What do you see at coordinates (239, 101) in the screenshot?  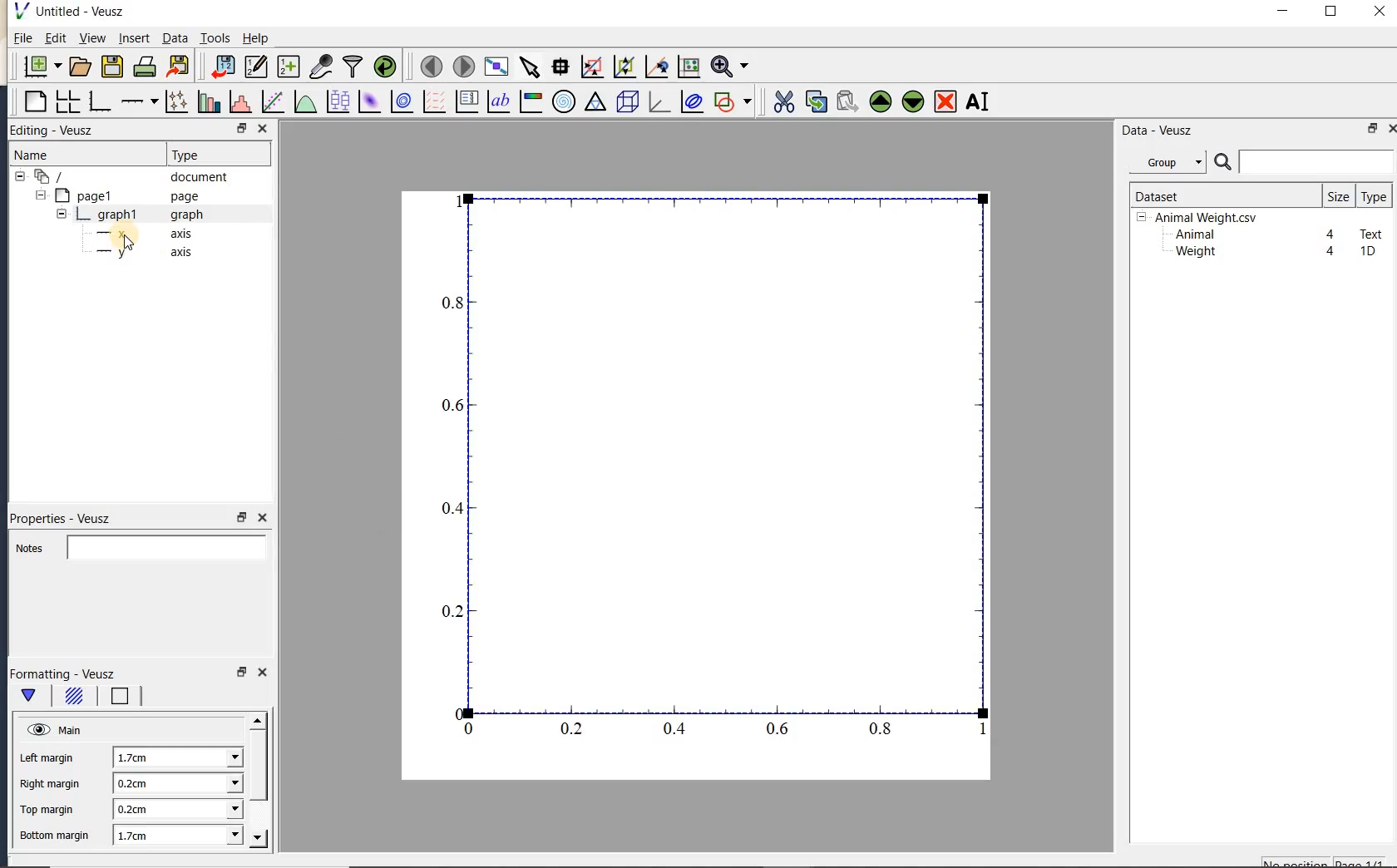 I see `histogram of a dataset` at bounding box center [239, 101].